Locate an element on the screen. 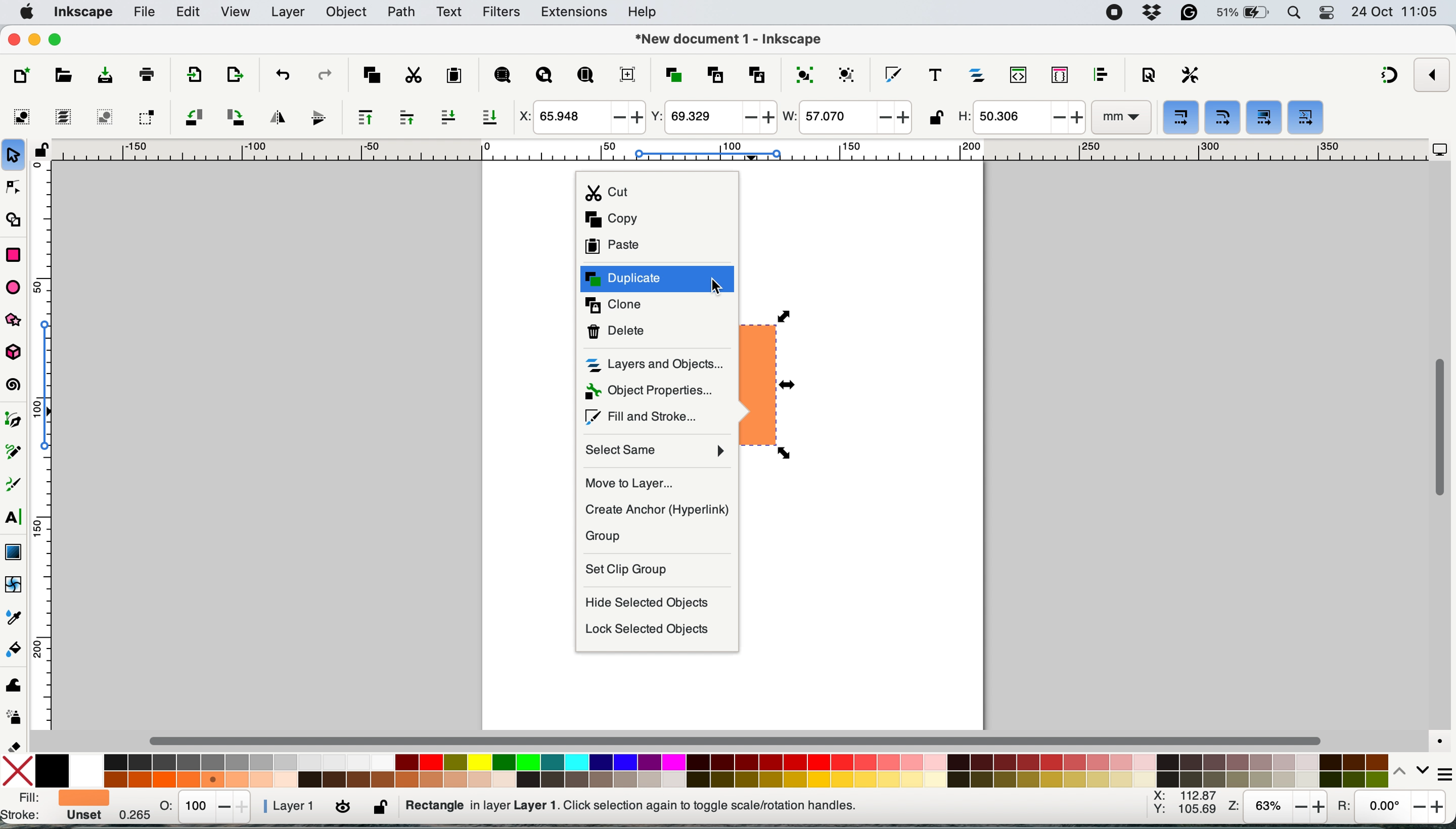 This screenshot has height=829, width=1456. ellipse arc tol is located at coordinates (17, 286).